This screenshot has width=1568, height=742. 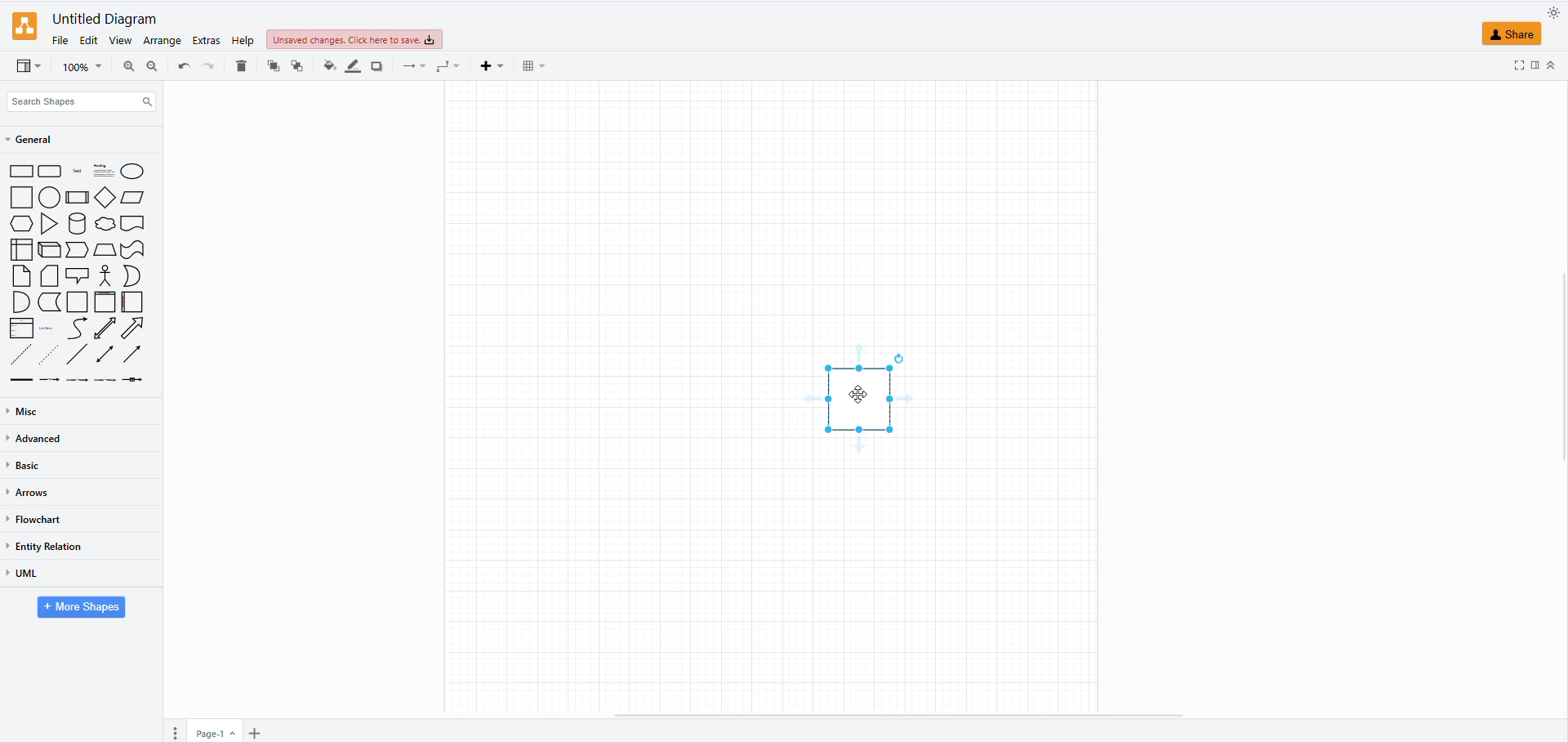 I want to click on unsaved changes, so click(x=353, y=40).